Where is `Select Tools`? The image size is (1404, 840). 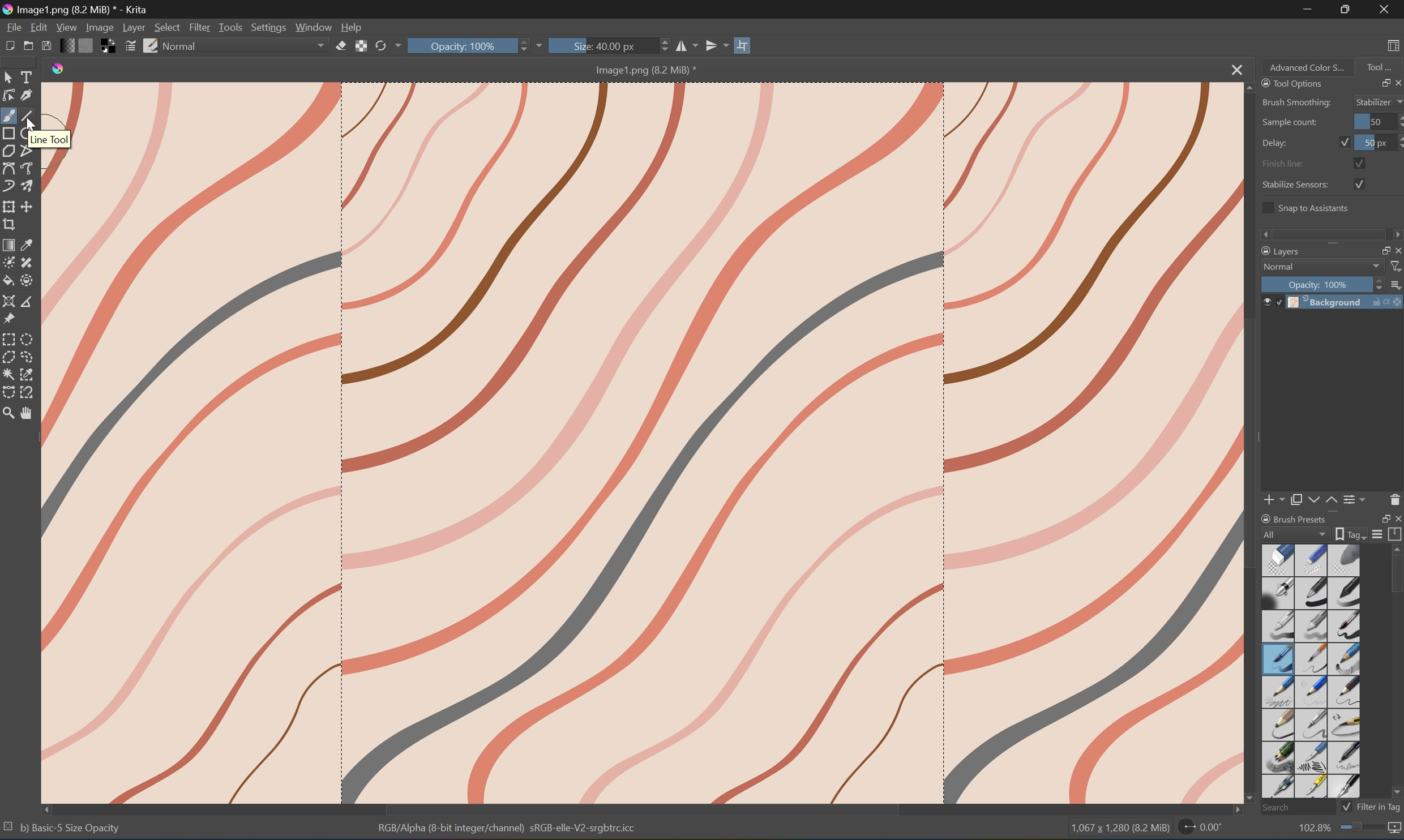
Select Tools is located at coordinates (28, 76).